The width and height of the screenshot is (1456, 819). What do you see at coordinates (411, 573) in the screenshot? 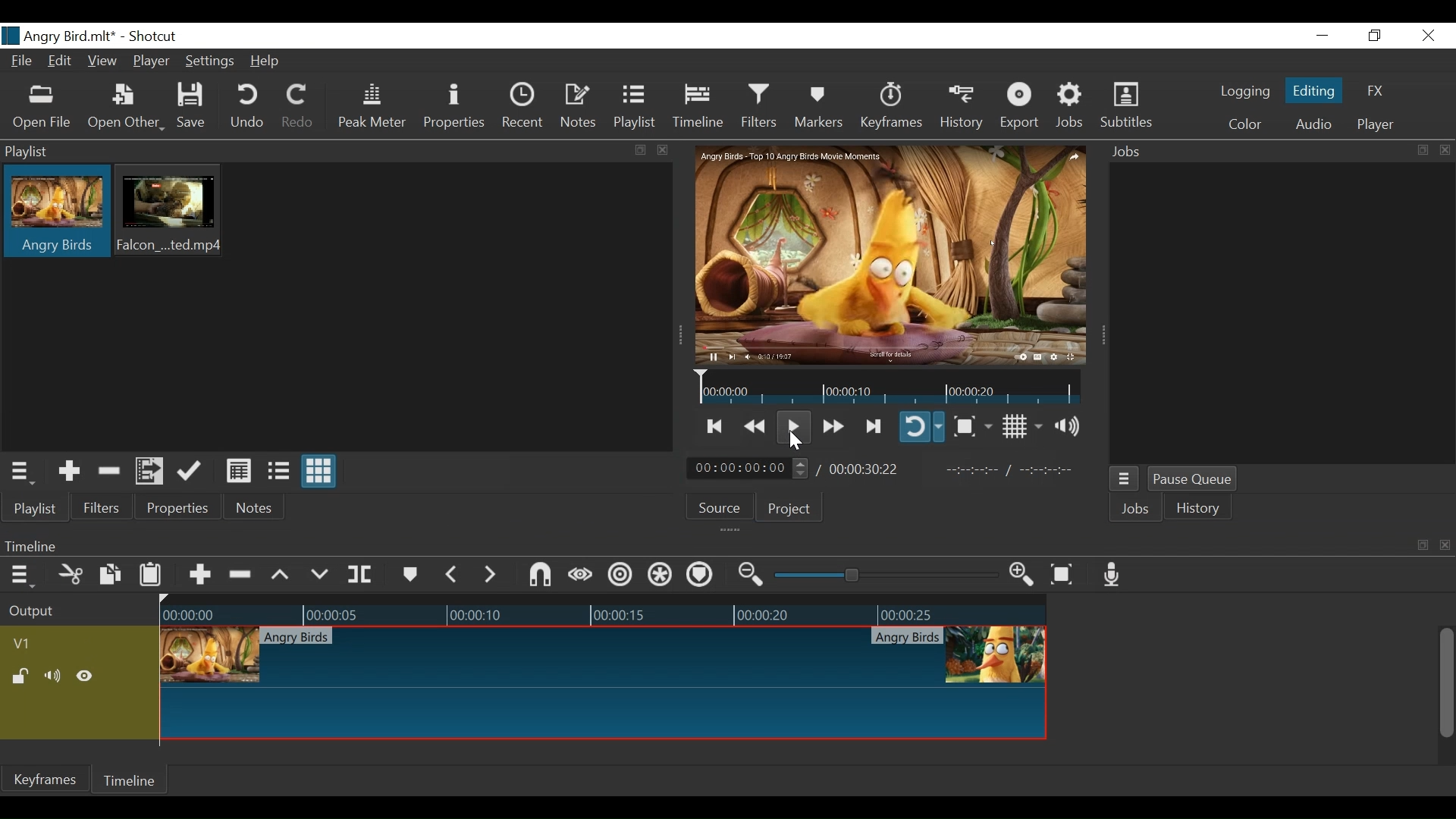
I see `Markers` at bounding box center [411, 573].